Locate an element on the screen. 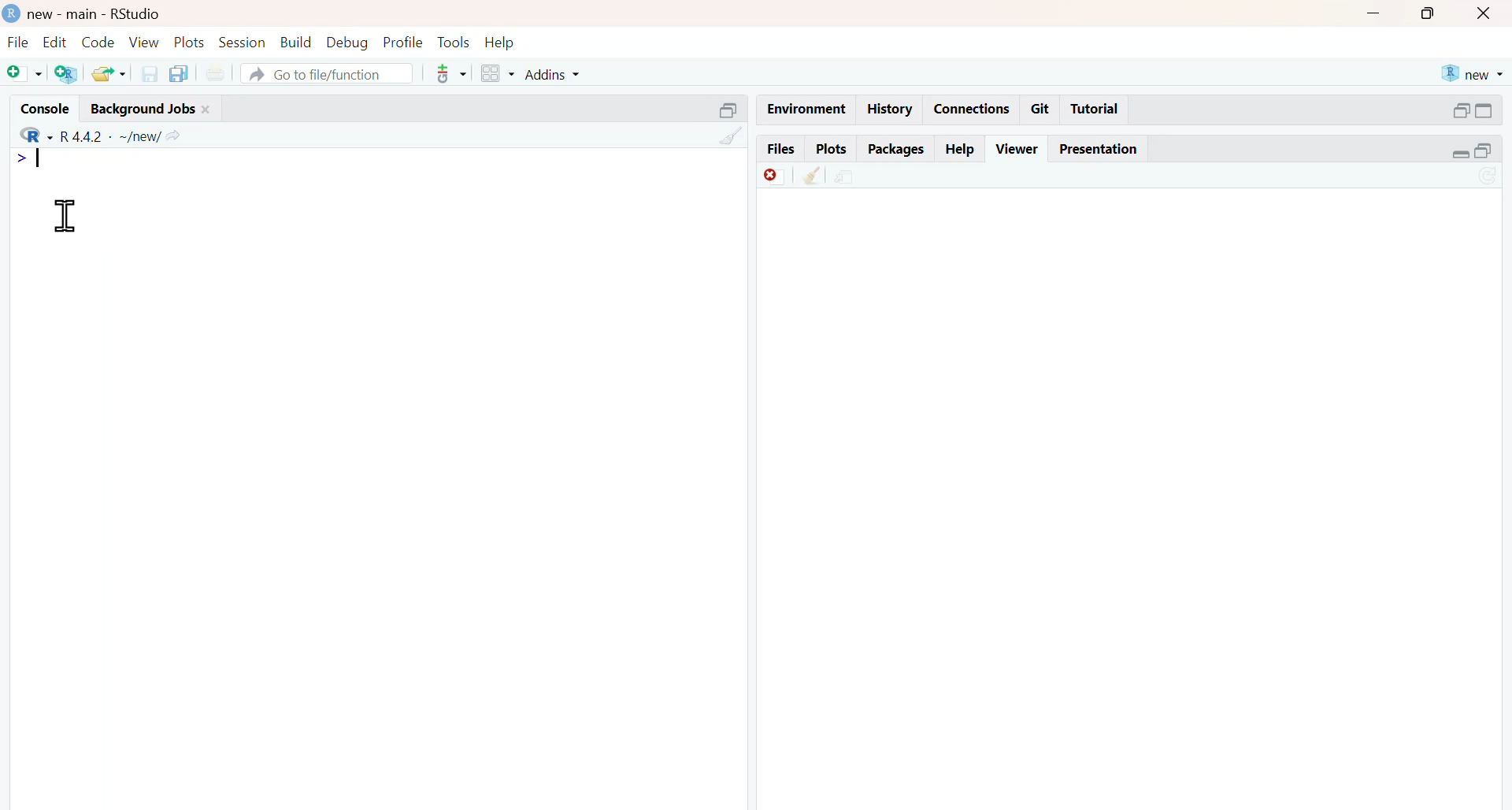 This screenshot has width=1512, height=810. open in separate window is located at coordinates (1483, 151).